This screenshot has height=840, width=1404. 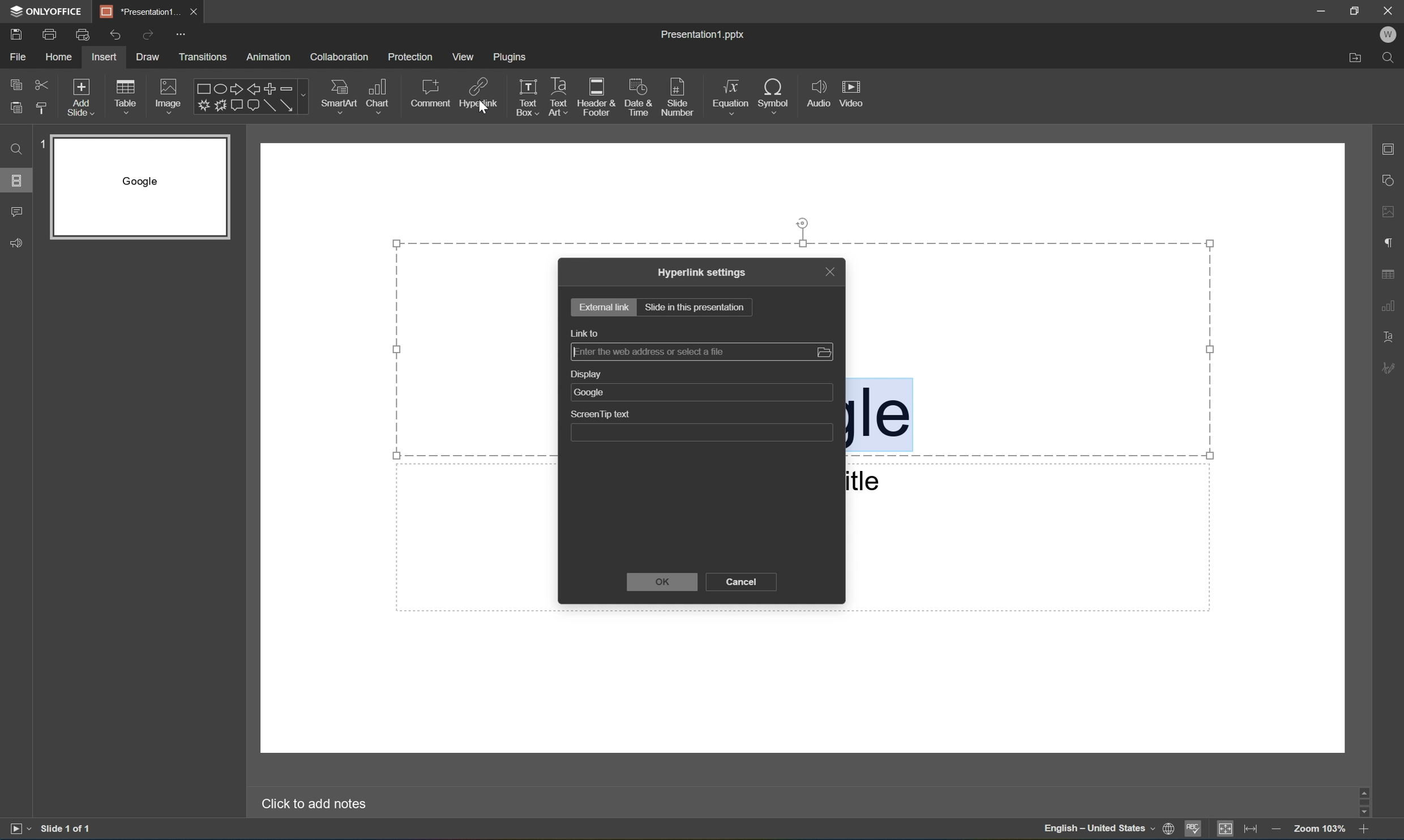 What do you see at coordinates (338, 57) in the screenshot?
I see `Collaboration` at bounding box center [338, 57].